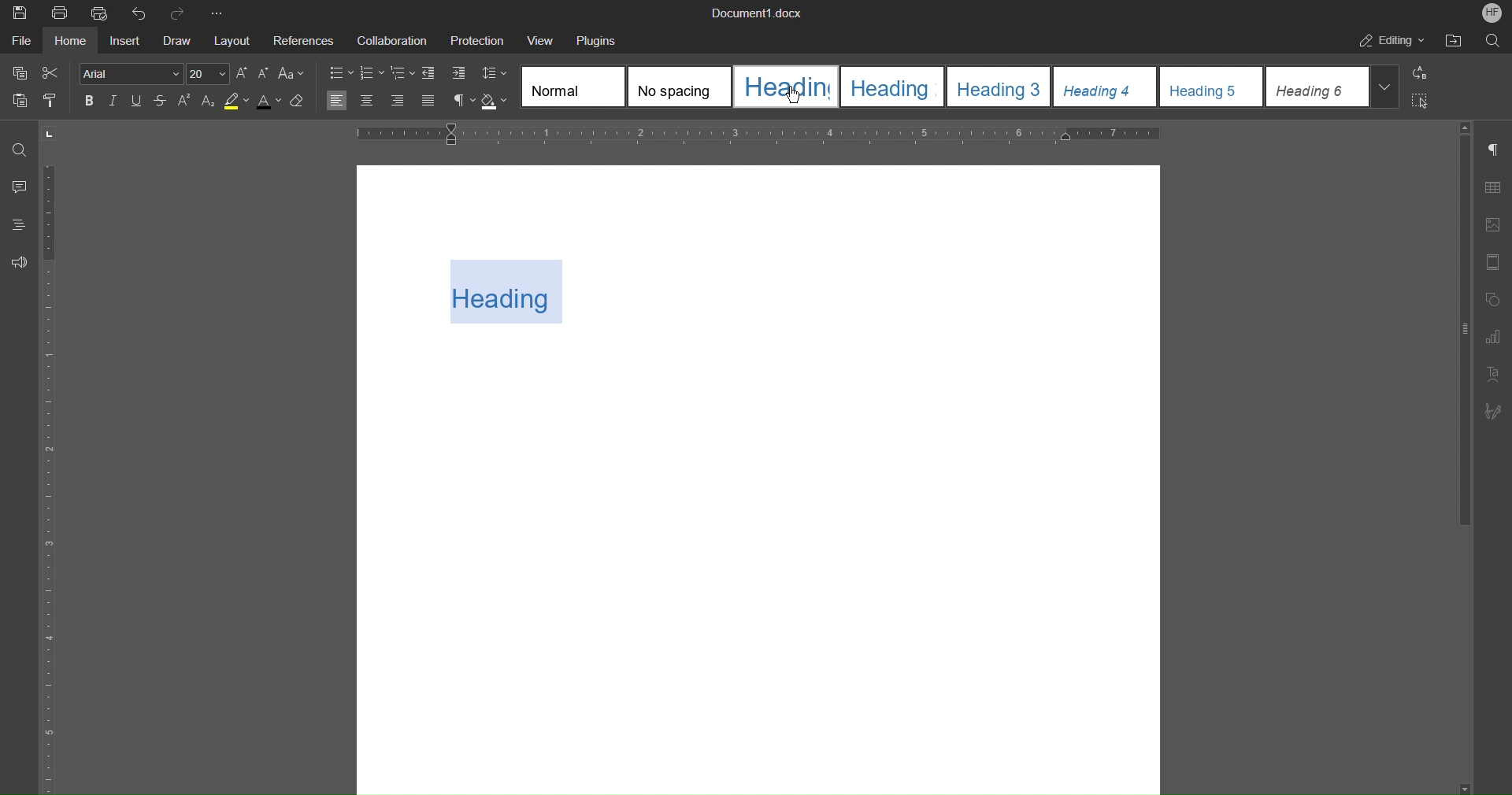  I want to click on Non-Printing Characters, so click(1496, 153).